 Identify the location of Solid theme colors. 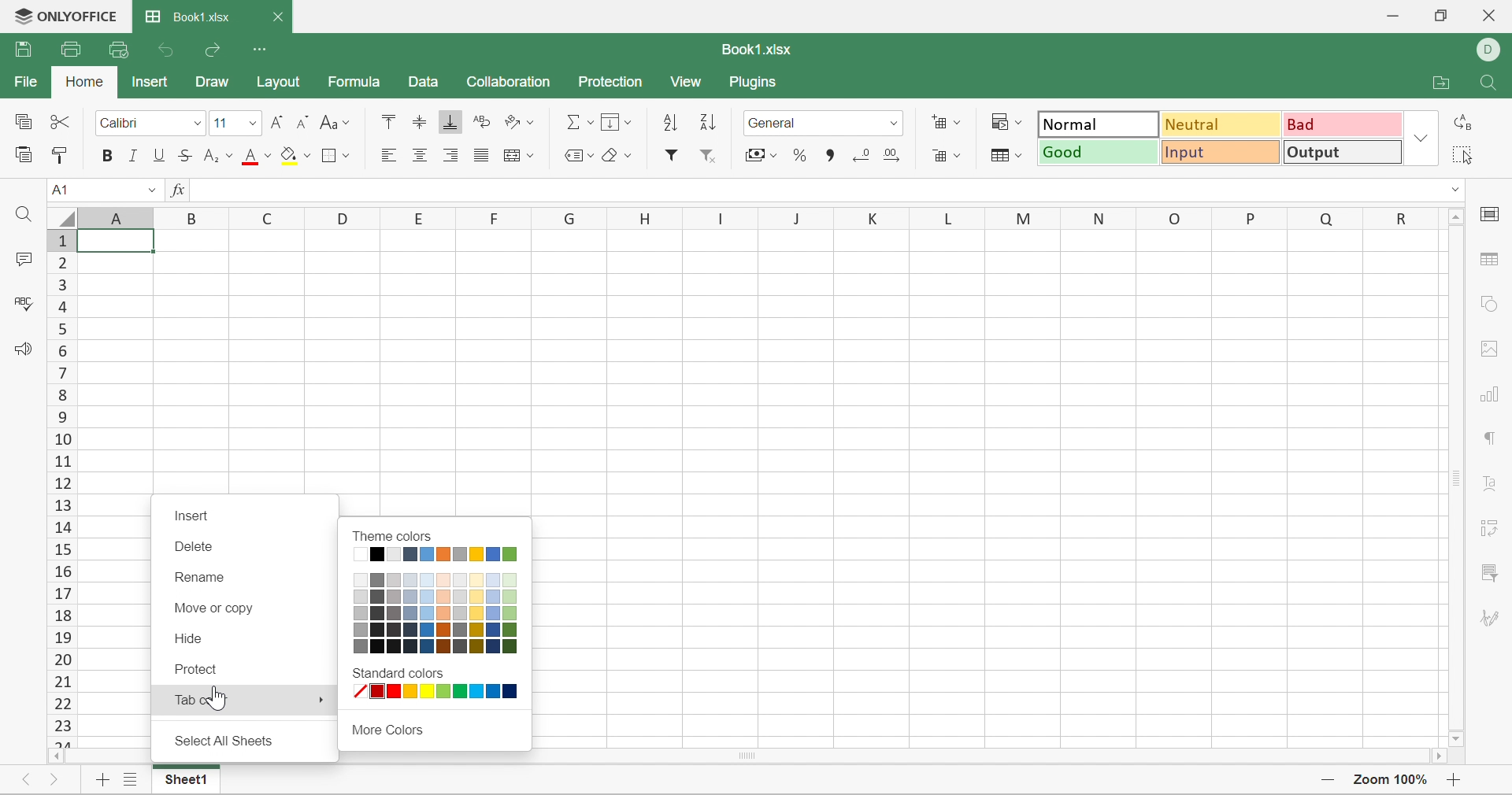
(438, 555).